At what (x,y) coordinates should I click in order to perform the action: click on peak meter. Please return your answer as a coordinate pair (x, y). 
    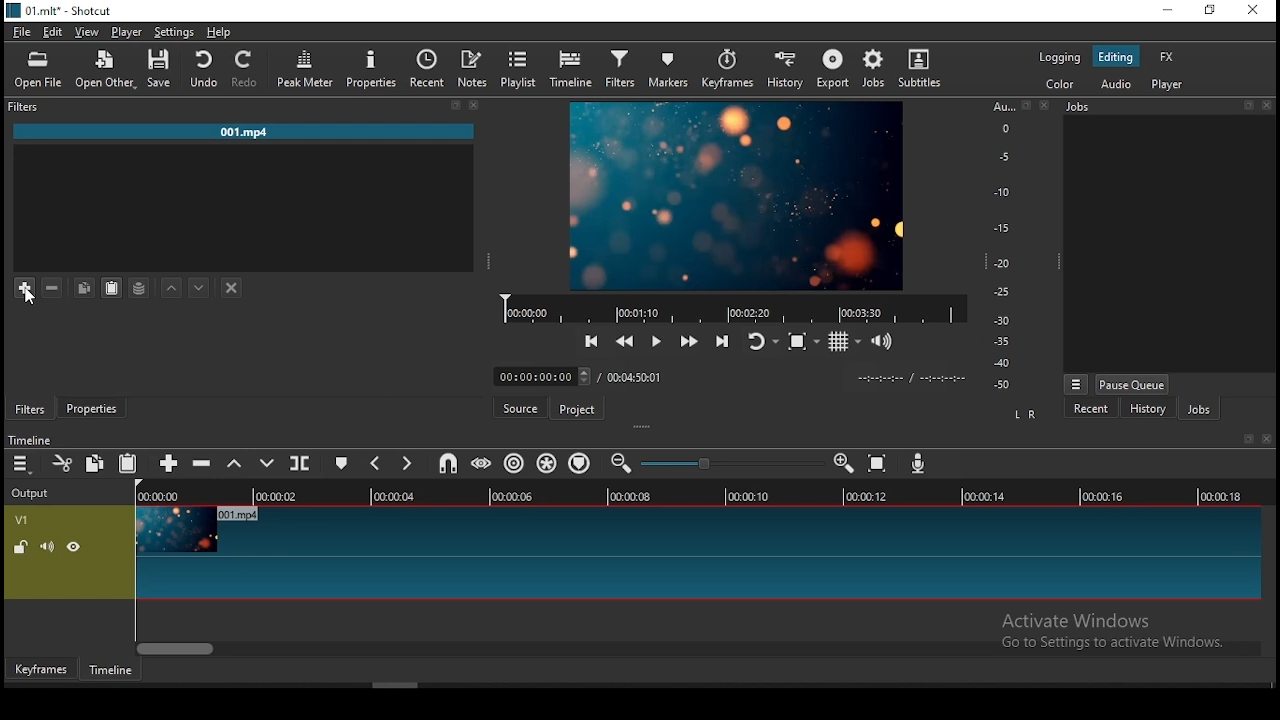
    Looking at the image, I should click on (307, 68).